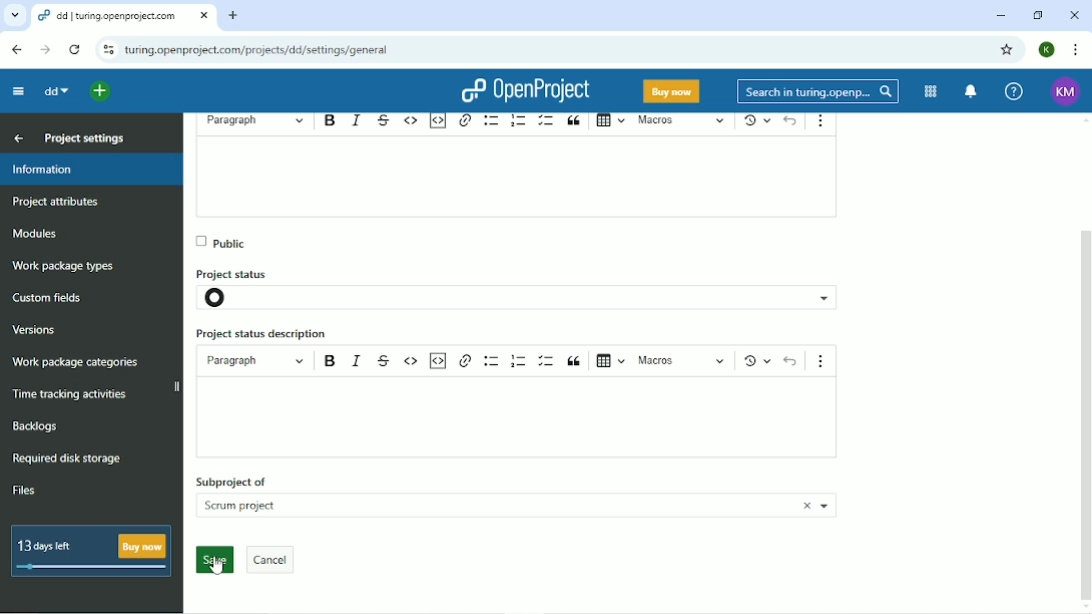  What do you see at coordinates (463, 507) in the screenshot?
I see `scrum project` at bounding box center [463, 507].